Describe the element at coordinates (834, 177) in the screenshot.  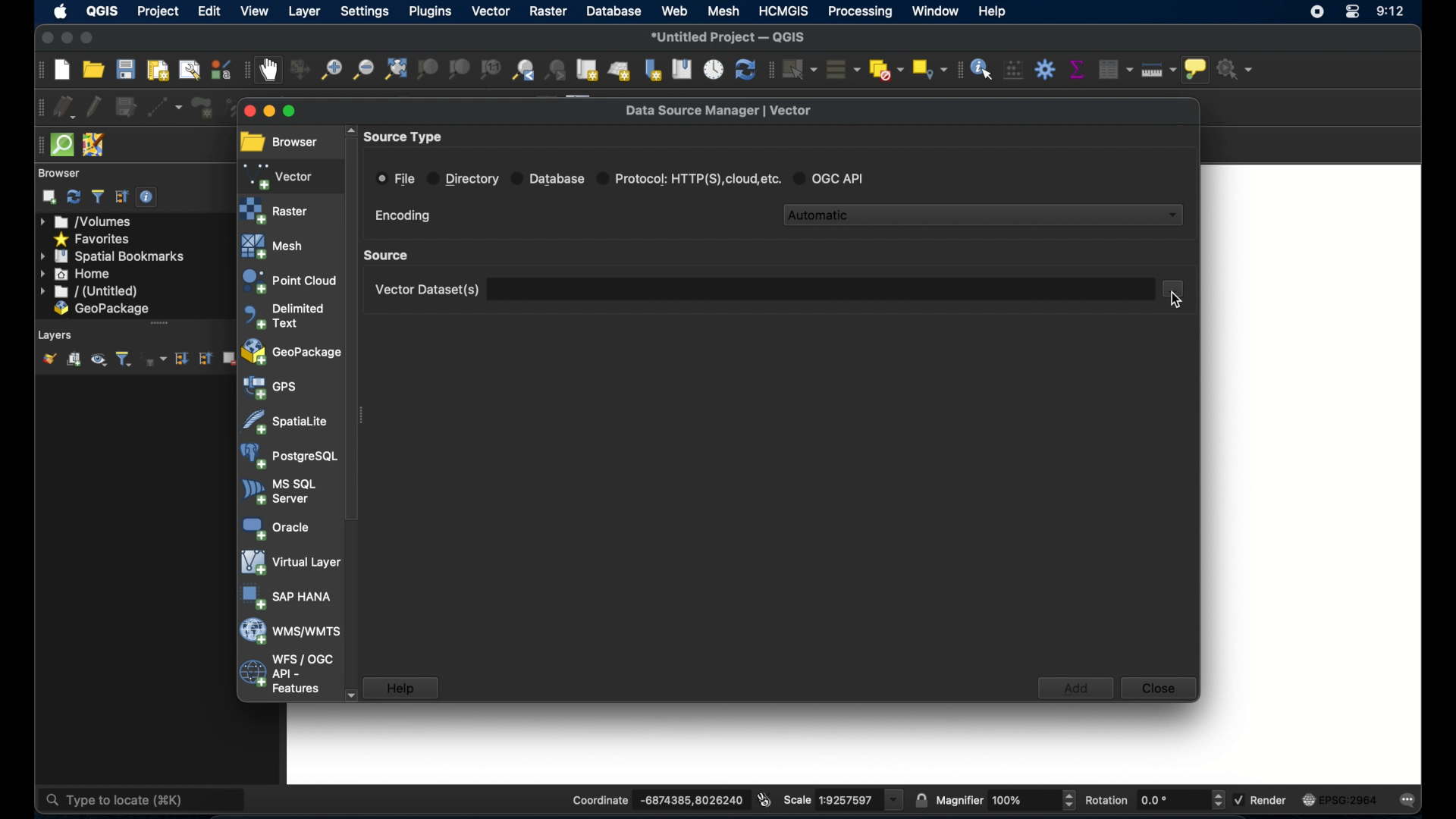
I see `ogc api` at that location.